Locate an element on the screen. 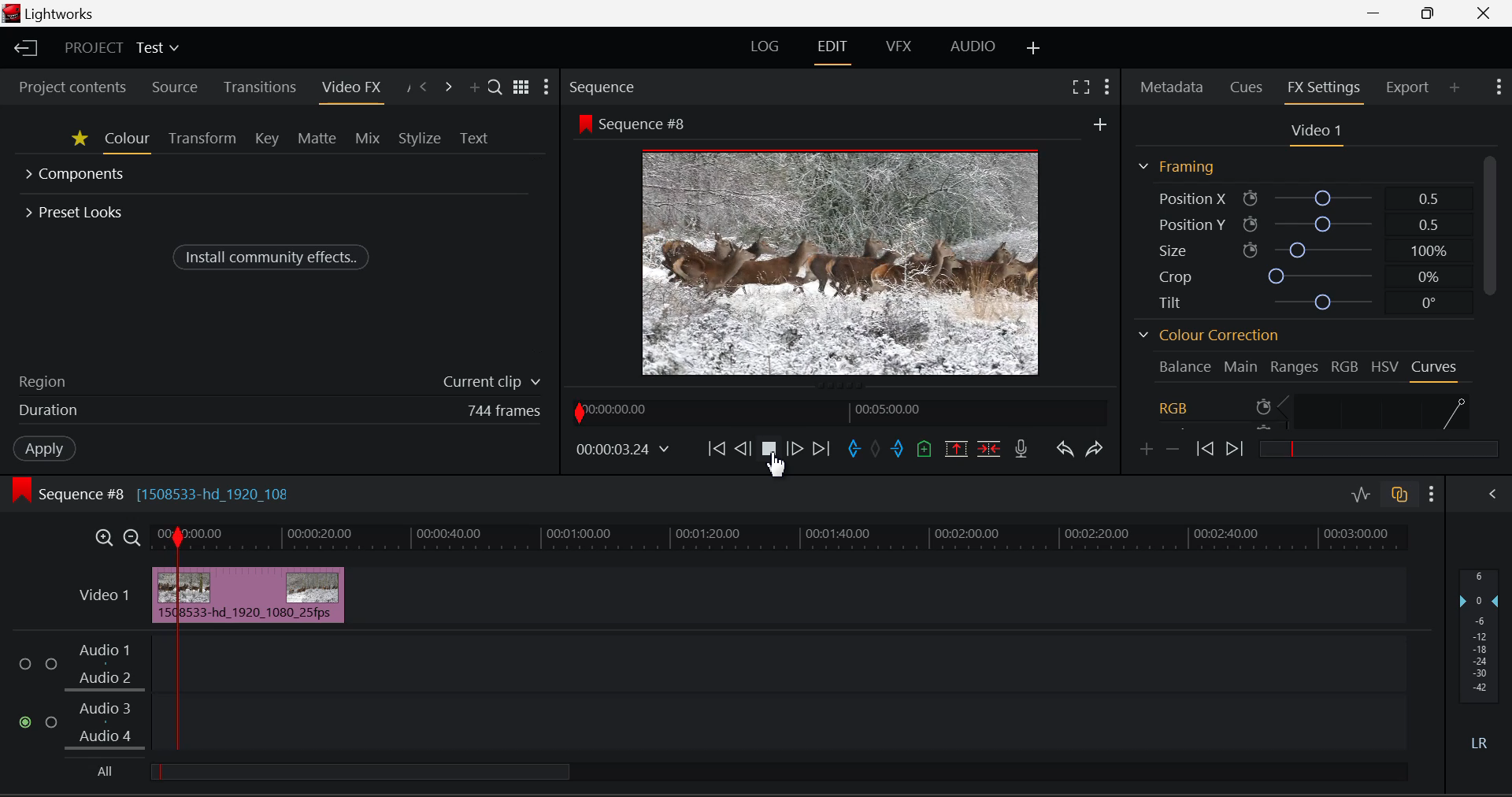 Image resolution: width=1512 pixels, height=797 pixels. Size is located at coordinates (1299, 250).